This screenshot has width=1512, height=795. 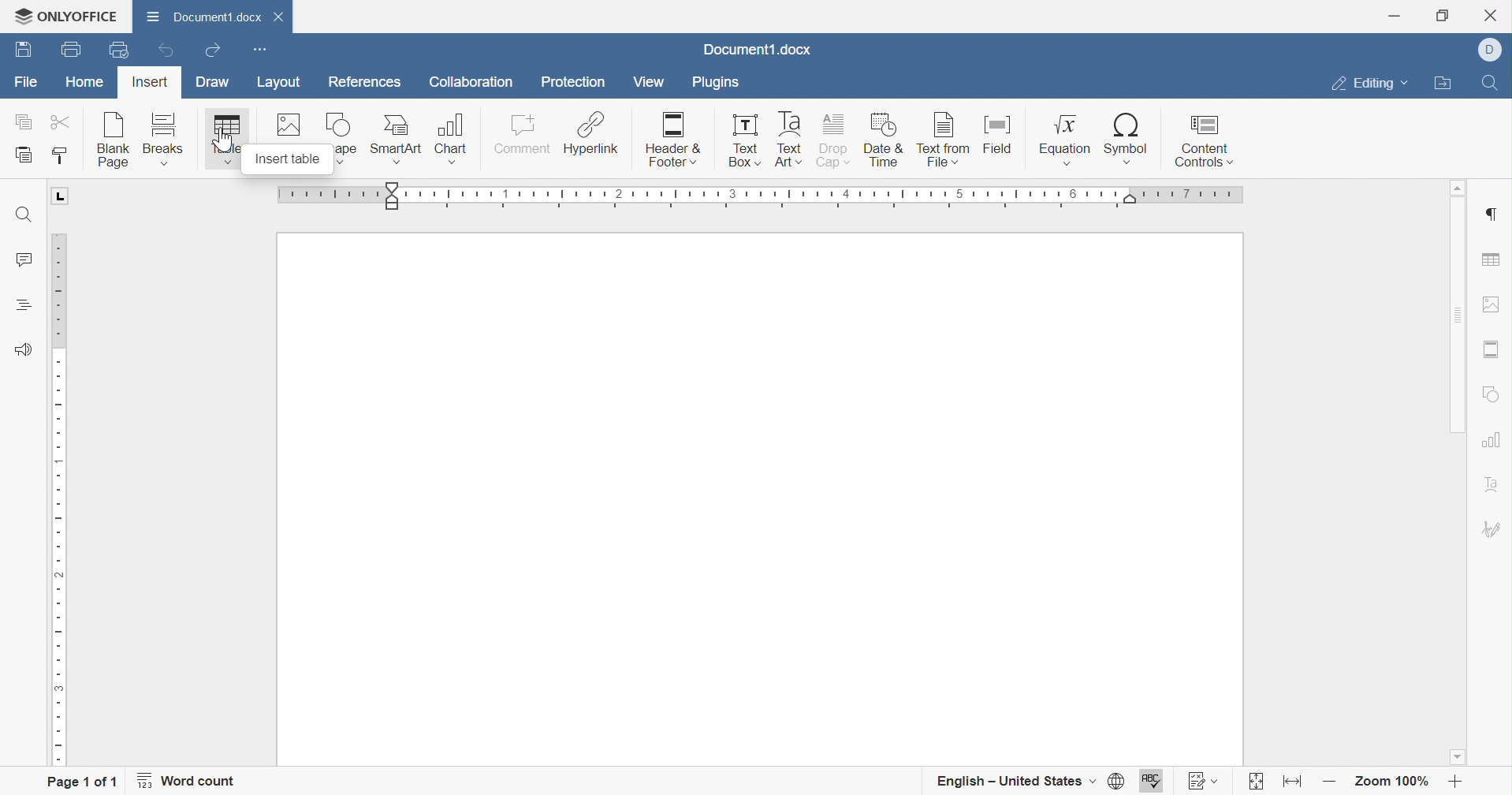 What do you see at coordinates (1494, 259) in the screenshot?
I see `Table settings` at bounding box center [1494, 259].